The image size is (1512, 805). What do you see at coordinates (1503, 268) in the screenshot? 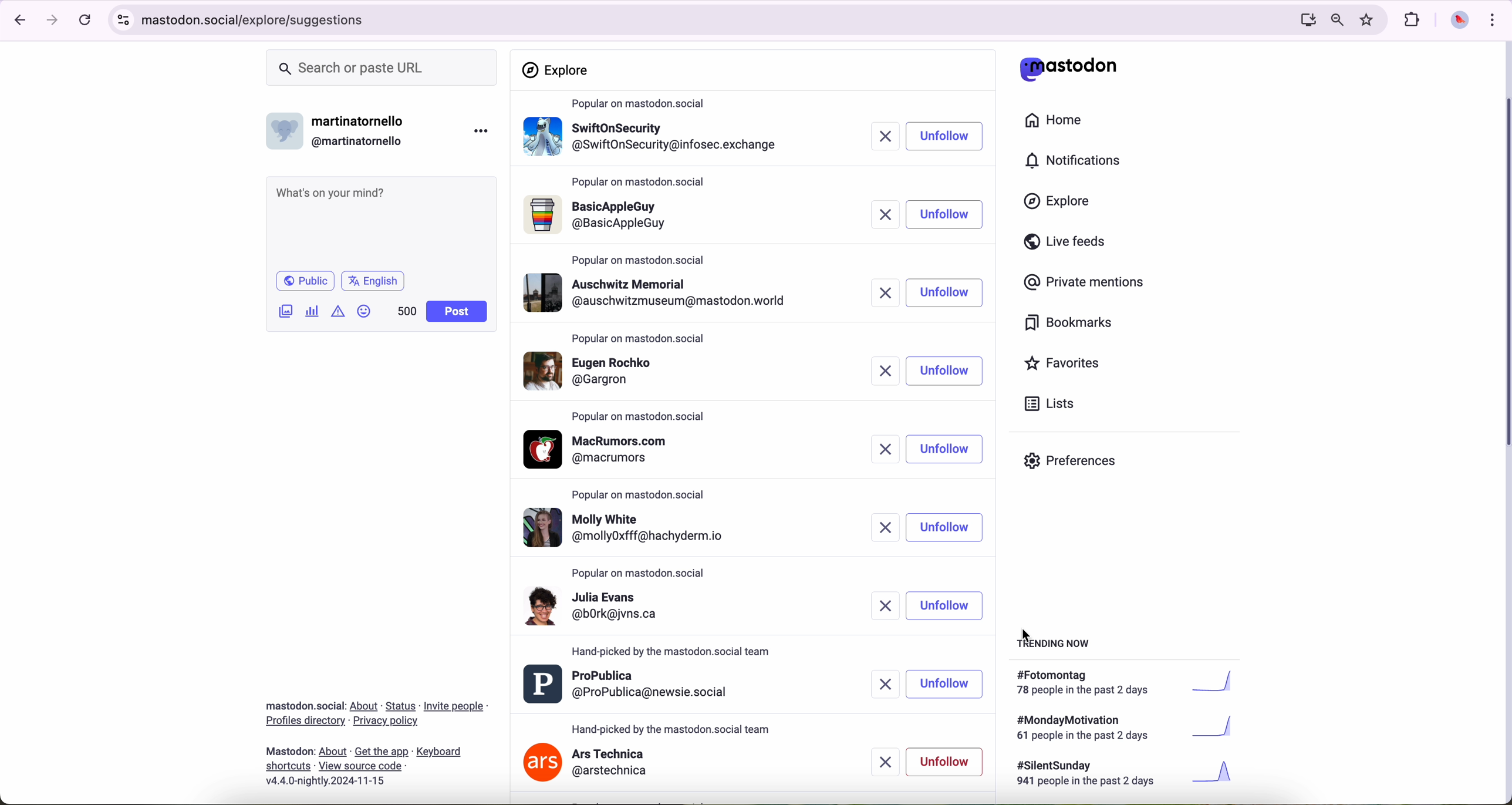
I see `scroll bar` at bounding box center [1503, 268].